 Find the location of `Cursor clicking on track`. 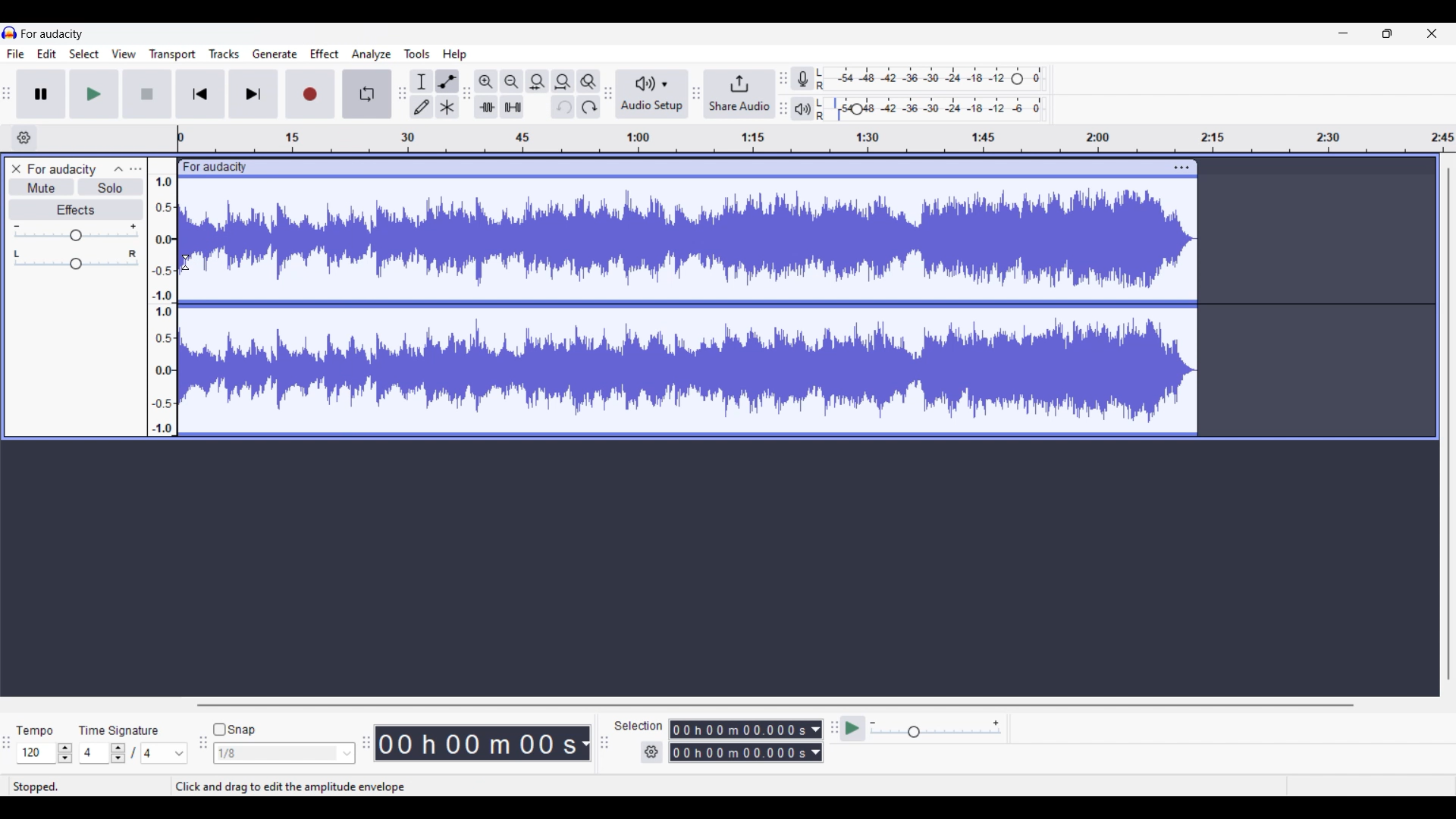

Cursor clicking on track is located at coordinates (186, 262).